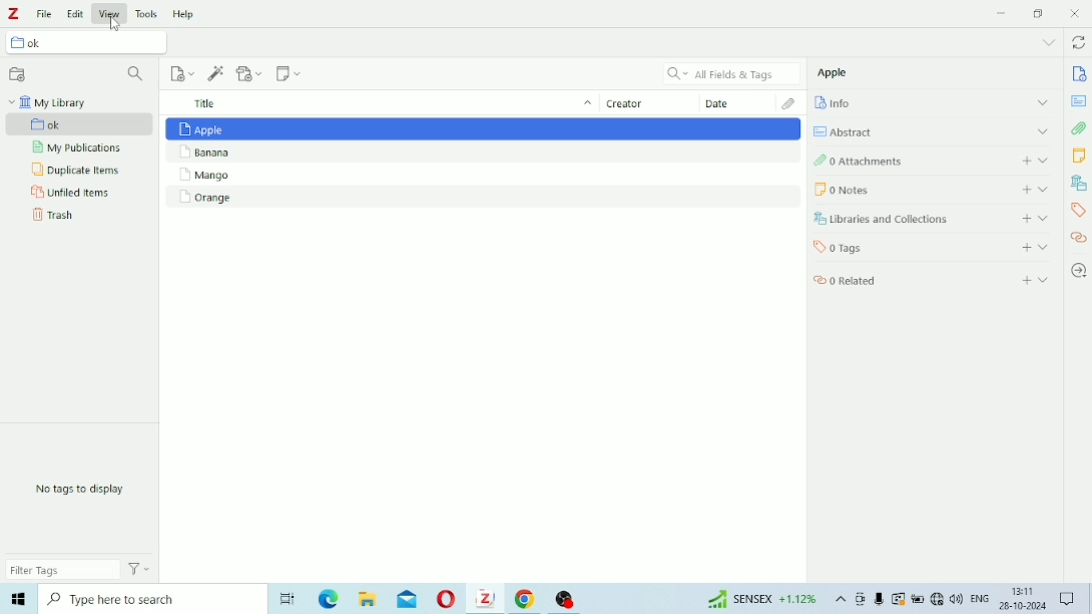 This screenshot has height=614, width=1092. I want to click on Related, so click(1079, 241).